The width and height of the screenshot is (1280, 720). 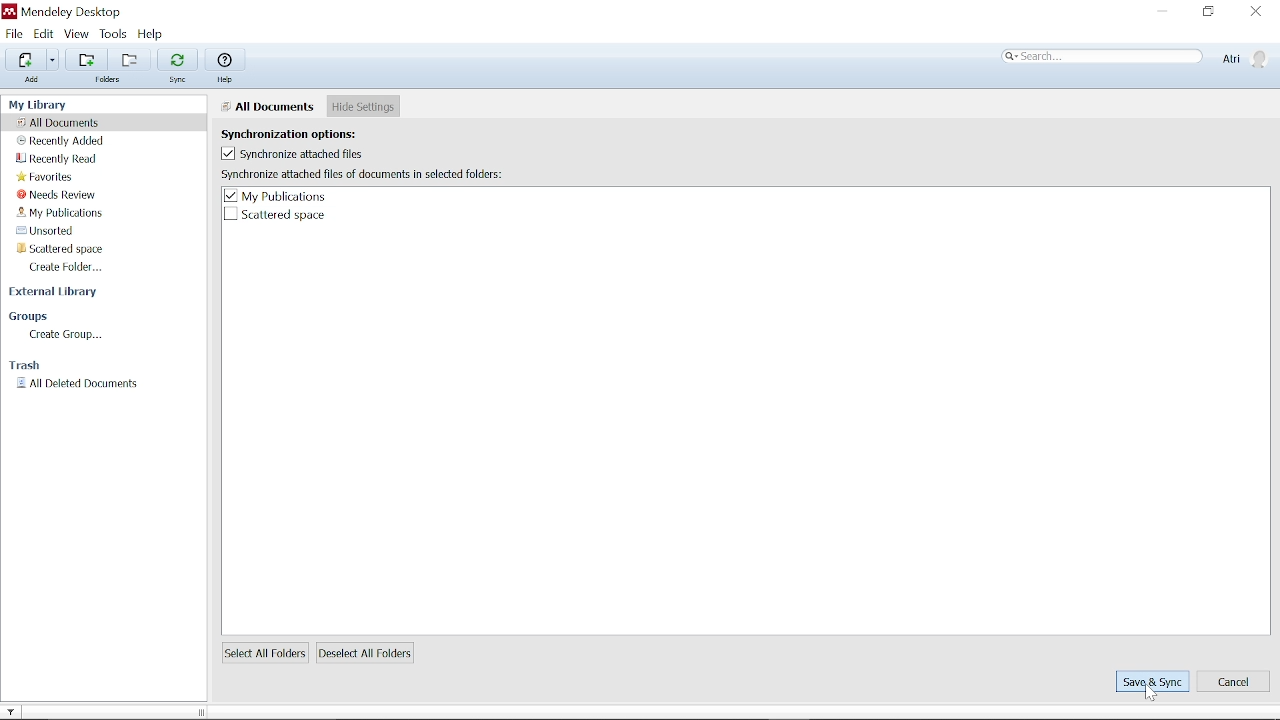 What do you see at coordinates (14, 34) in the screenshot?
I see `File` at bounding box center [14, 34].